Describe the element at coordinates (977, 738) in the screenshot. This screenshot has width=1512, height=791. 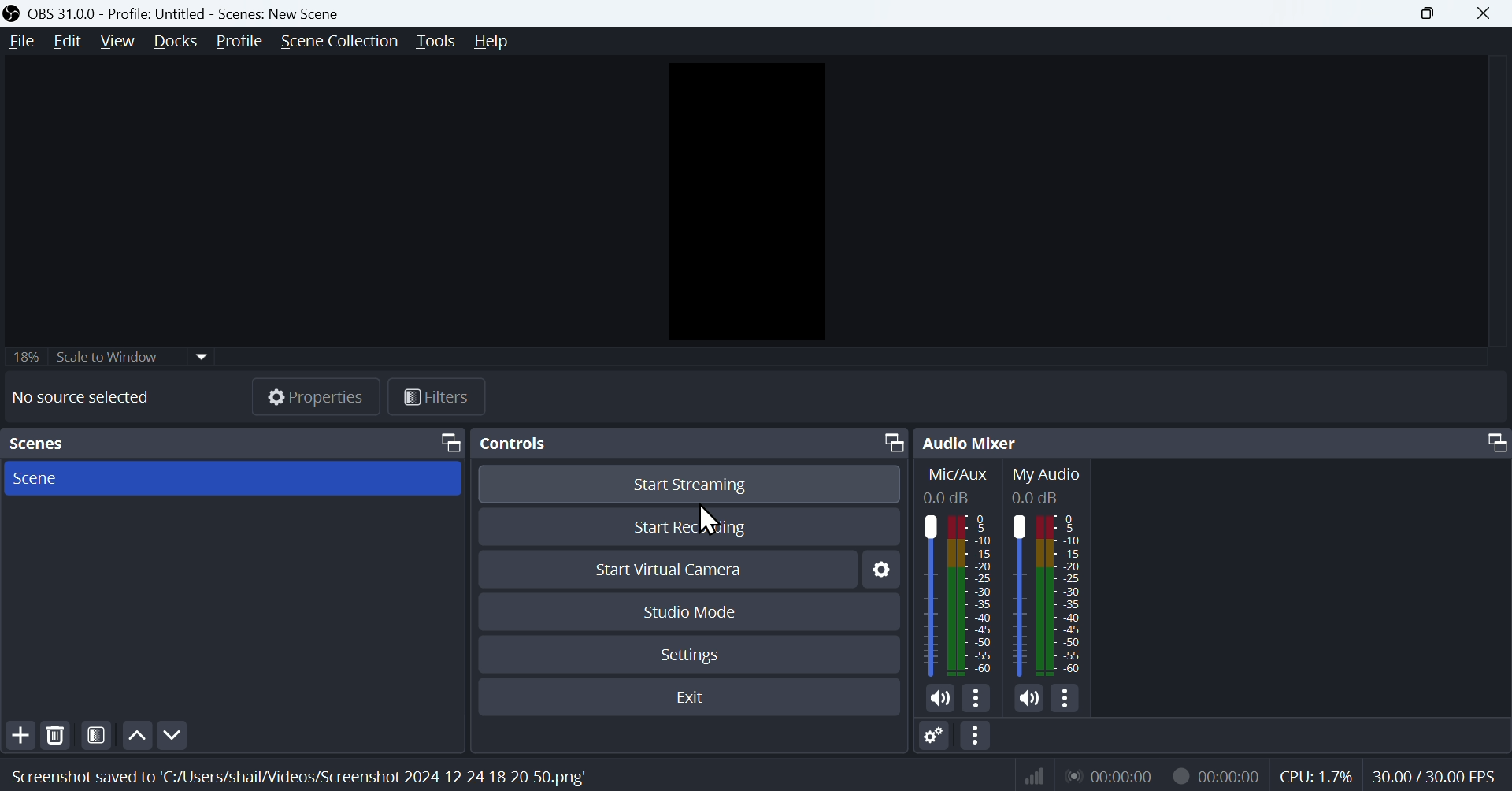
I see `More option` at that location.